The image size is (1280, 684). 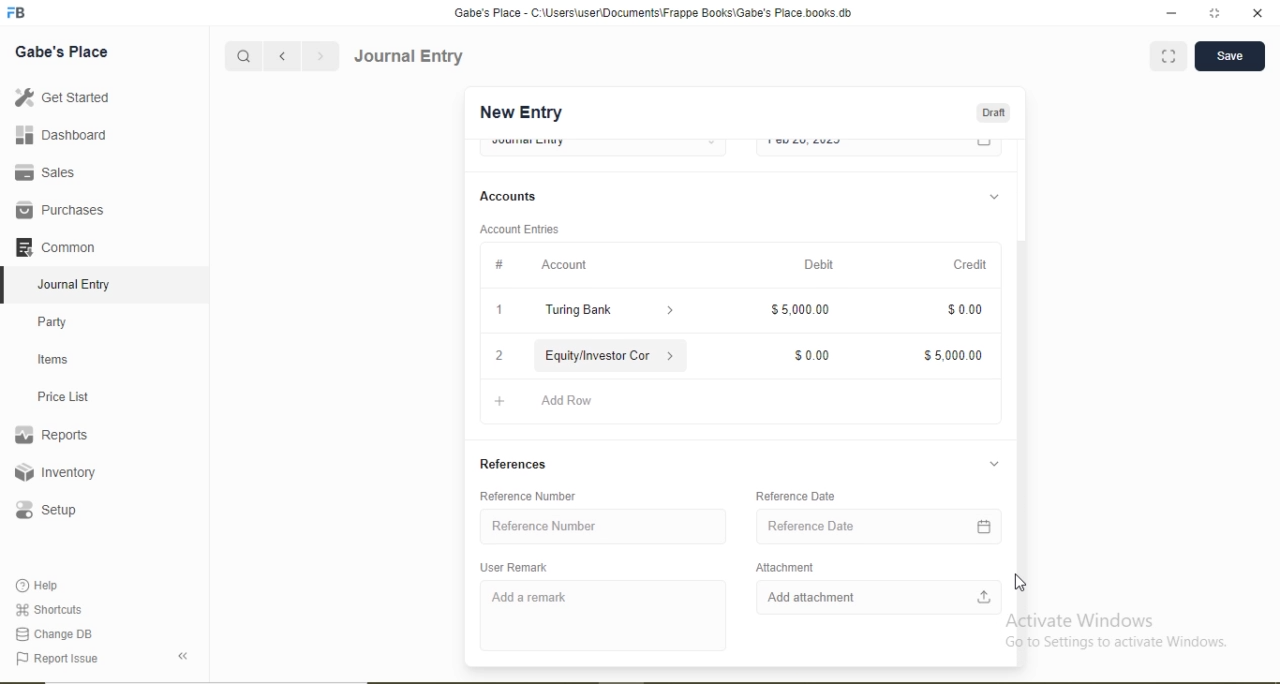 I want to click on Journal Entry, so click(x=76, y=285).